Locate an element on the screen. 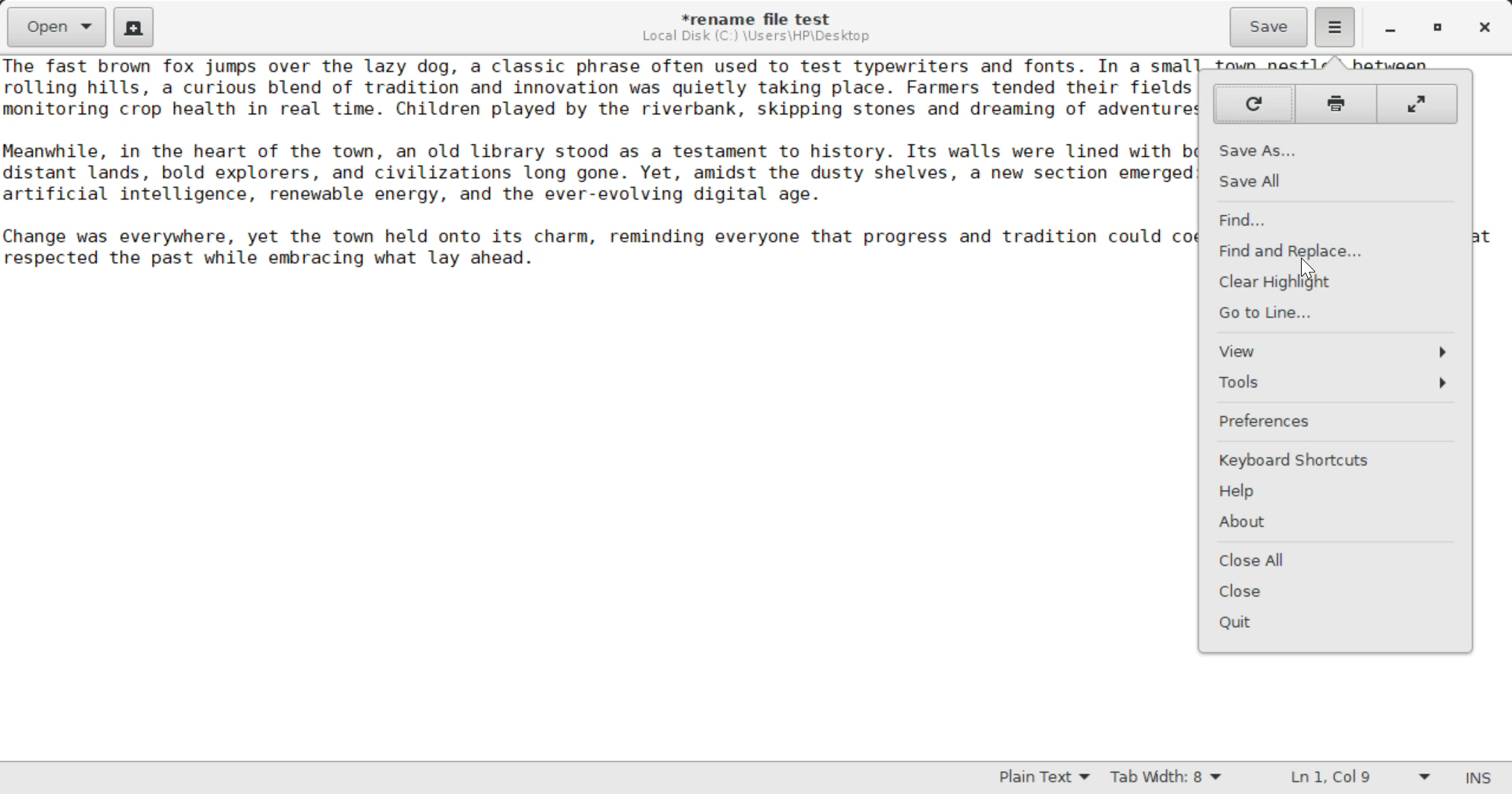 This screenshot has width=1512, height=794. Clear Highlight is located at coordinates (1336, 285).